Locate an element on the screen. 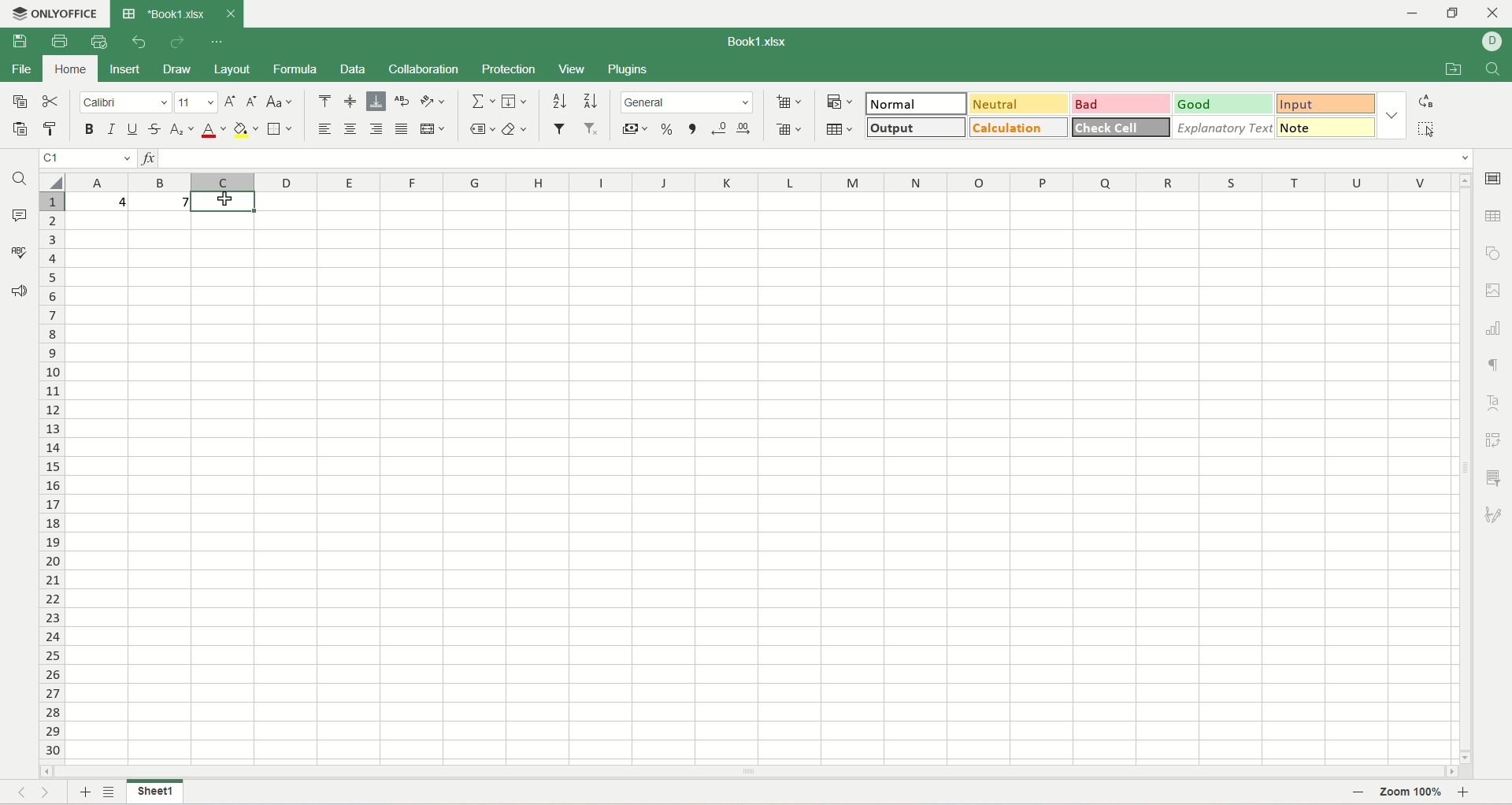 This screenshot has height=805, width=1512. spell check is located at coordinates (18, 252).